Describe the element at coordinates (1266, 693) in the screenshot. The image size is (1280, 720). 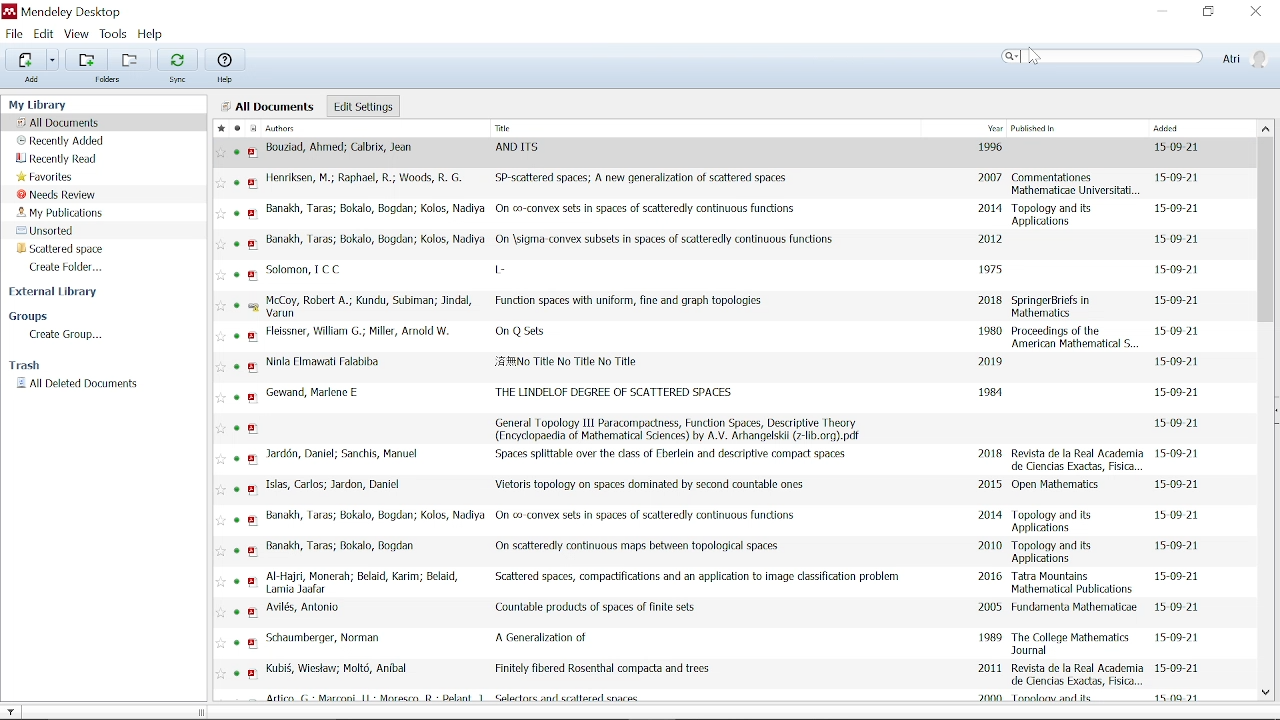
I see `Move down in all files` at that location.